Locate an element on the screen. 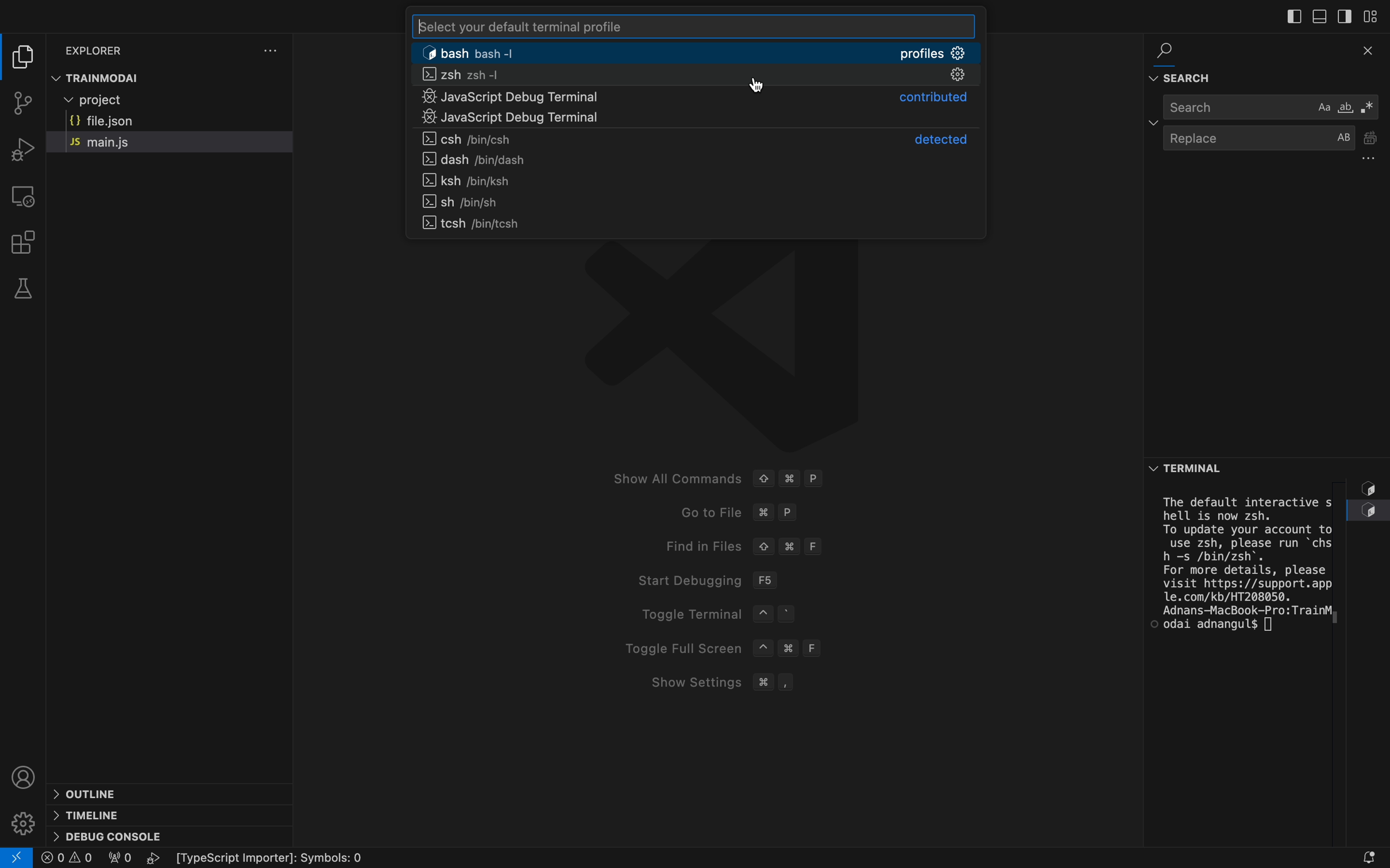 Image resolution: width=1390 pixels, height=868 pixels.  is located at coordinates (693, 160).